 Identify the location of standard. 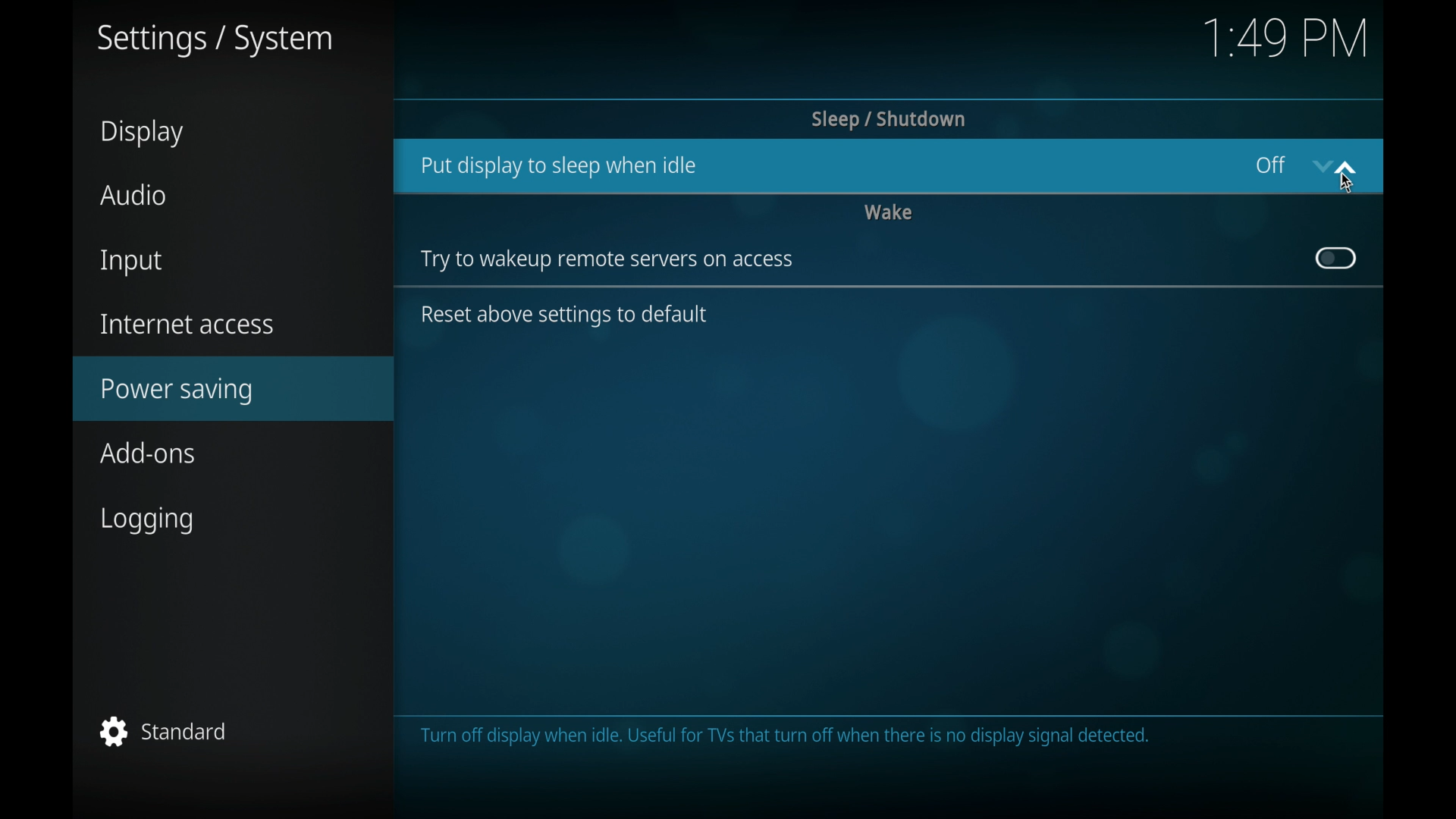
(163, 731).